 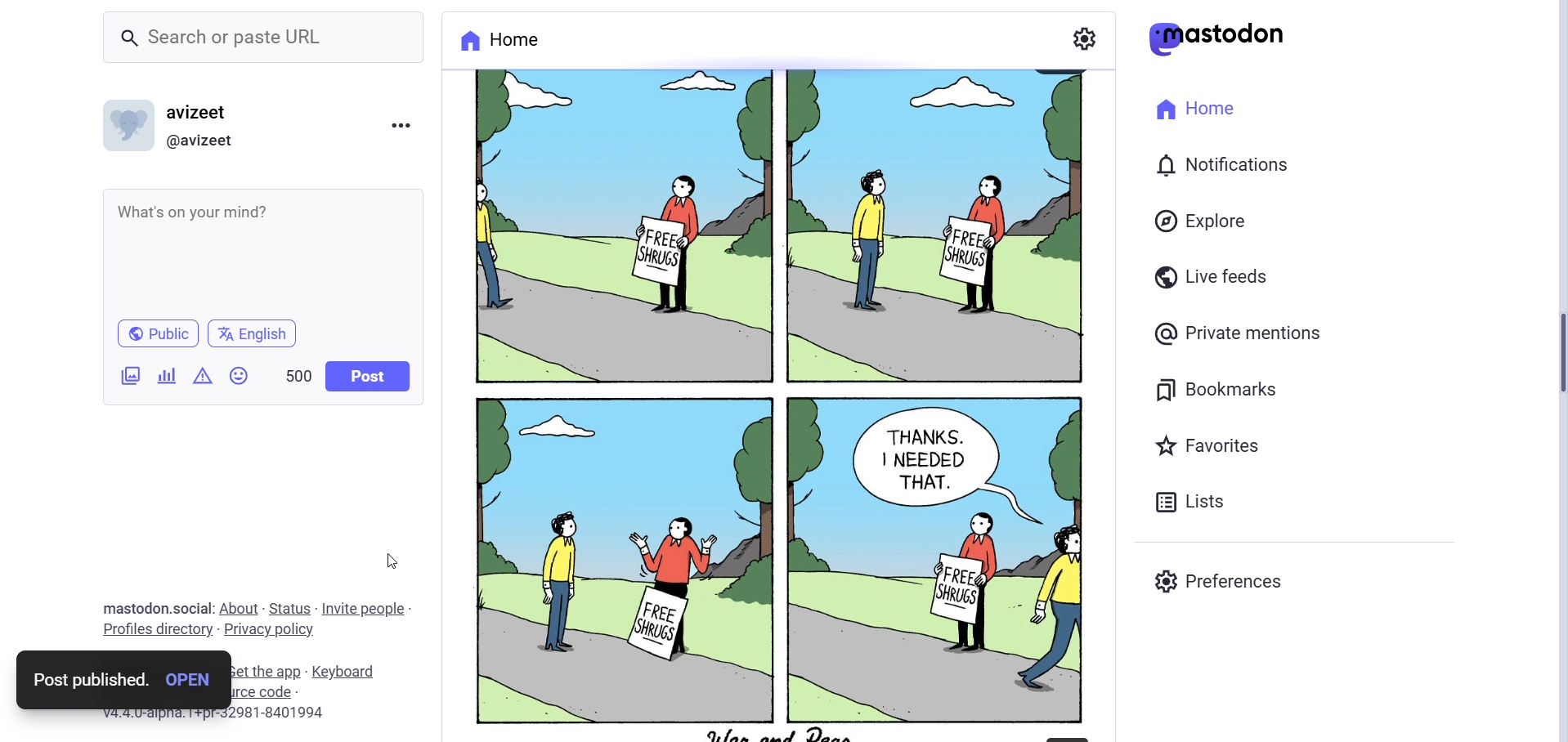 What do you see at coordinates (88, 680) in the screenshot?
I see `Post Published` at bounding box center [88, 680].